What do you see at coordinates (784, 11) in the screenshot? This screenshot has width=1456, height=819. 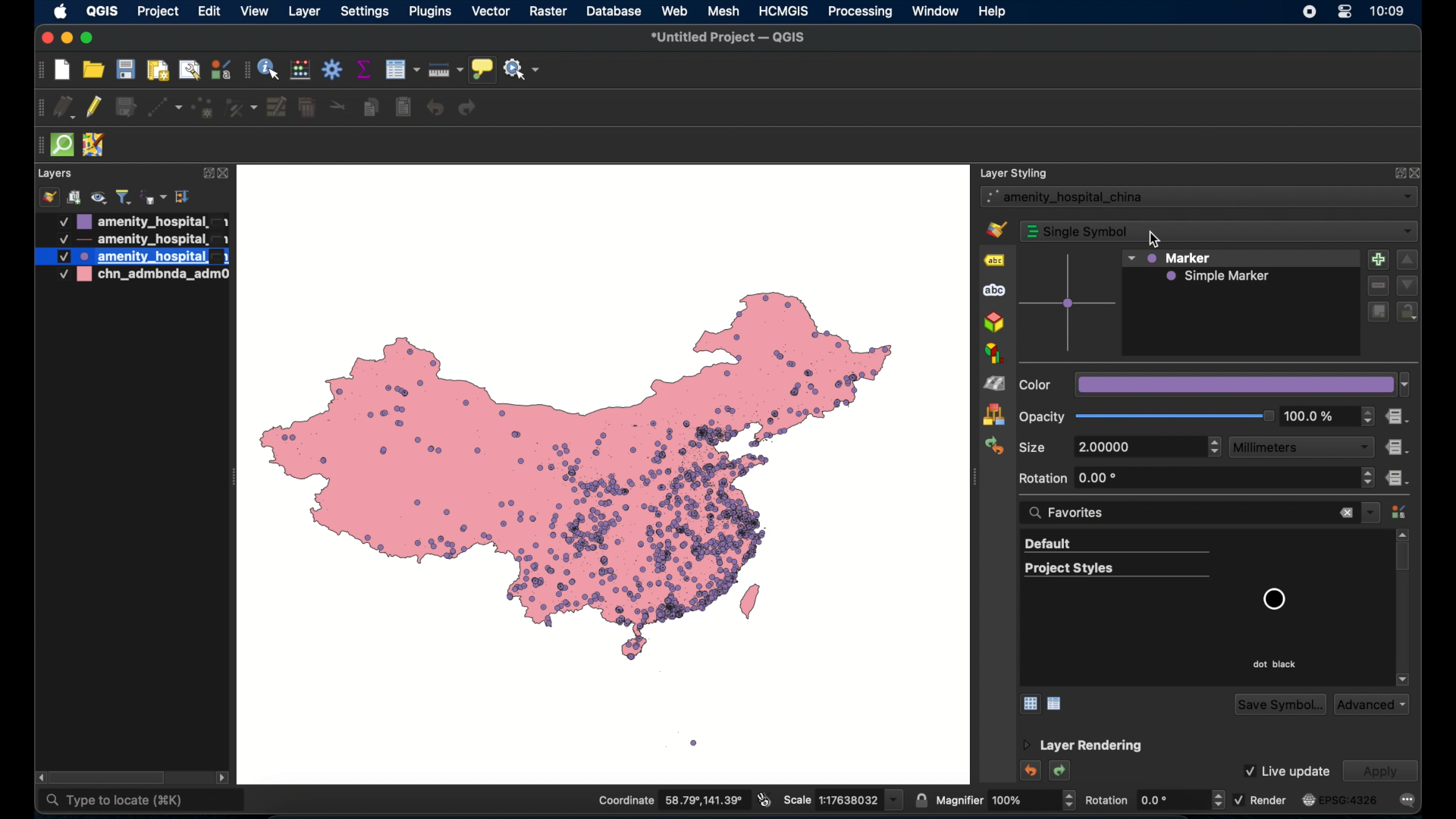 I see `HCMGIS` at bounding box center [784, 11].